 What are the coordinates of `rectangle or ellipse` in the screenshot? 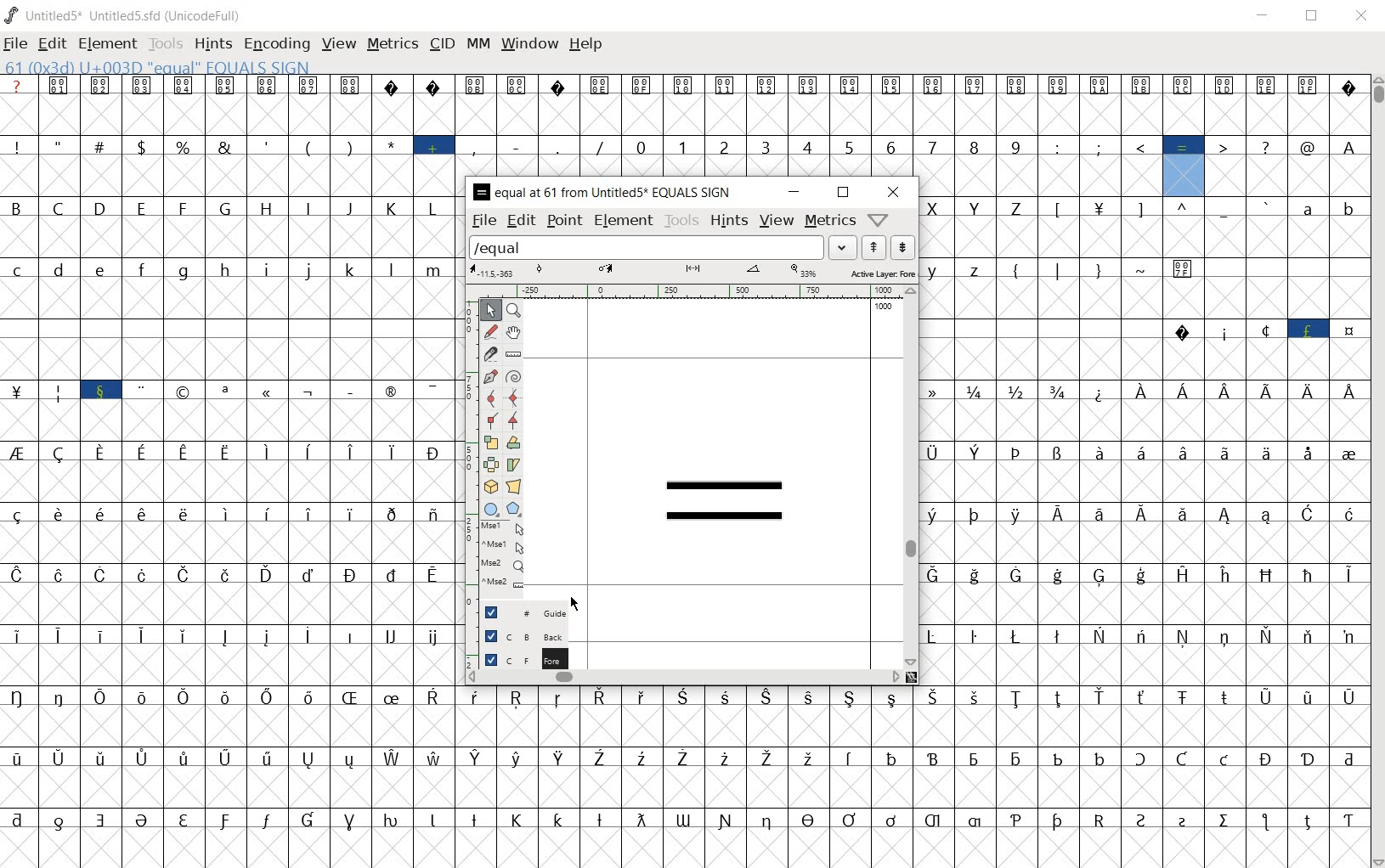 It's located at (492, 509).